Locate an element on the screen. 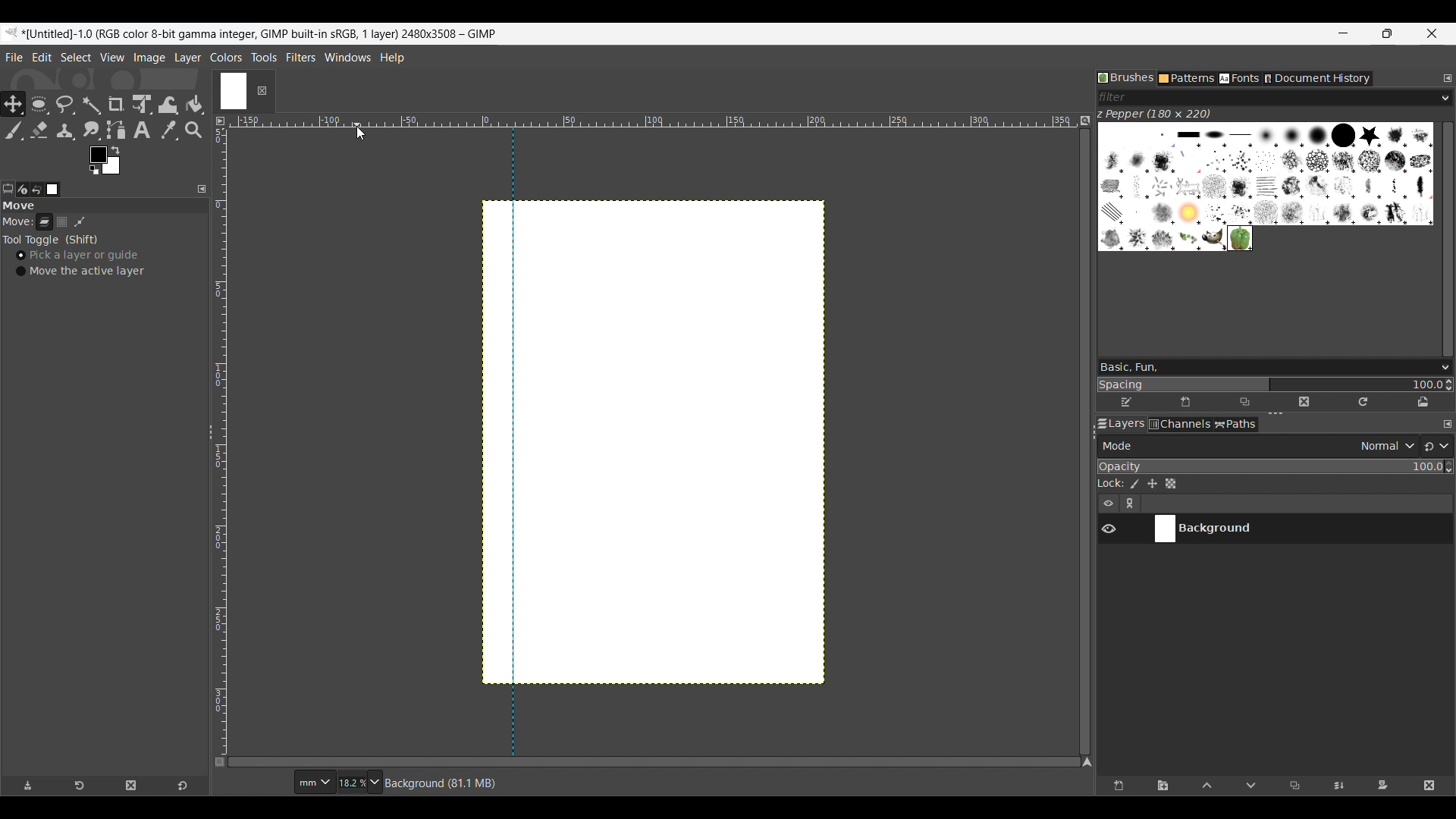 The height and width of the screenshot is (819, 1456). Close tab is located at coordinates (261, 91).